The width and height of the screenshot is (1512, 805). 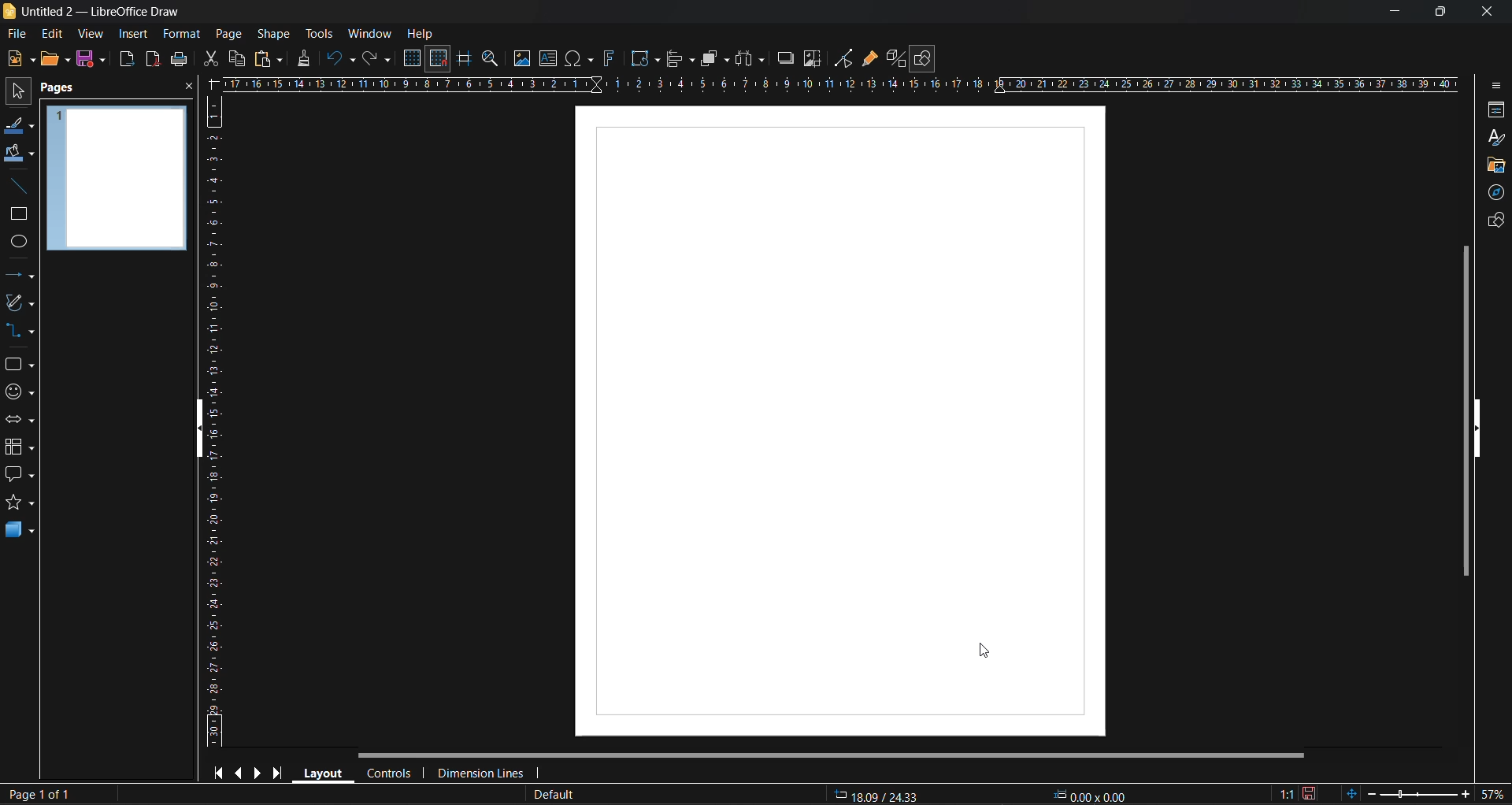 What do you see at coordinates (580, 59) in the screenshot?
I see `special characters` at bounding box center [580, 59].